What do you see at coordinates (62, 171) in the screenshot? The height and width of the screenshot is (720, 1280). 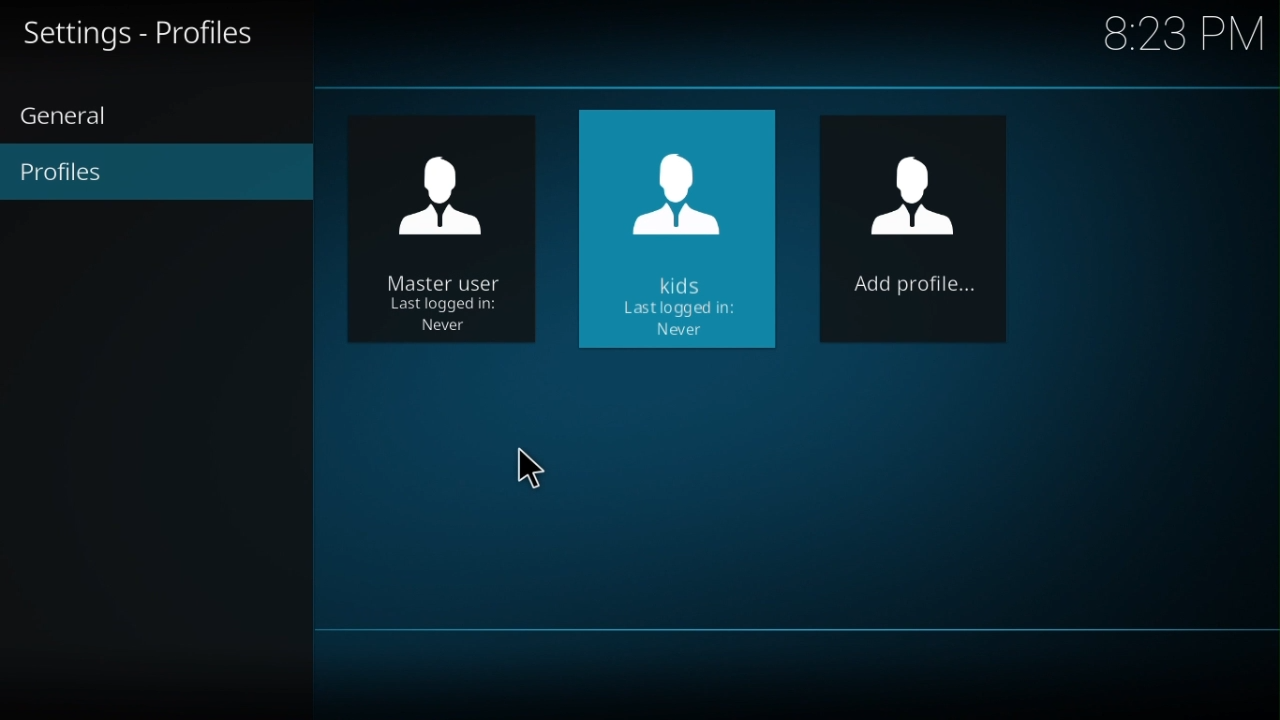 I see `profiles` at bounding box center [62, 171].